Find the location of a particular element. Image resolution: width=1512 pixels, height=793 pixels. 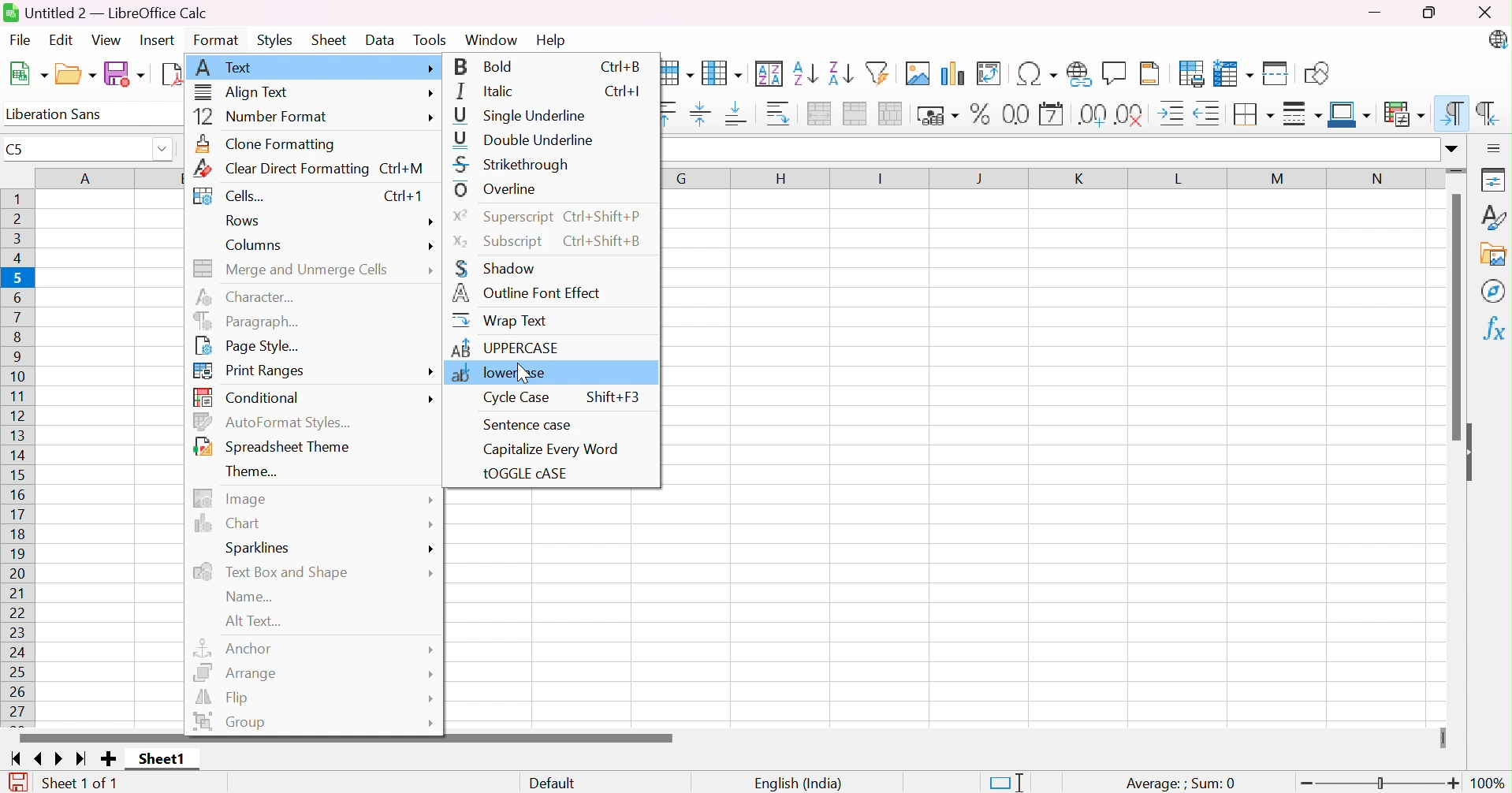

Help is located at coordinates (553, 40).